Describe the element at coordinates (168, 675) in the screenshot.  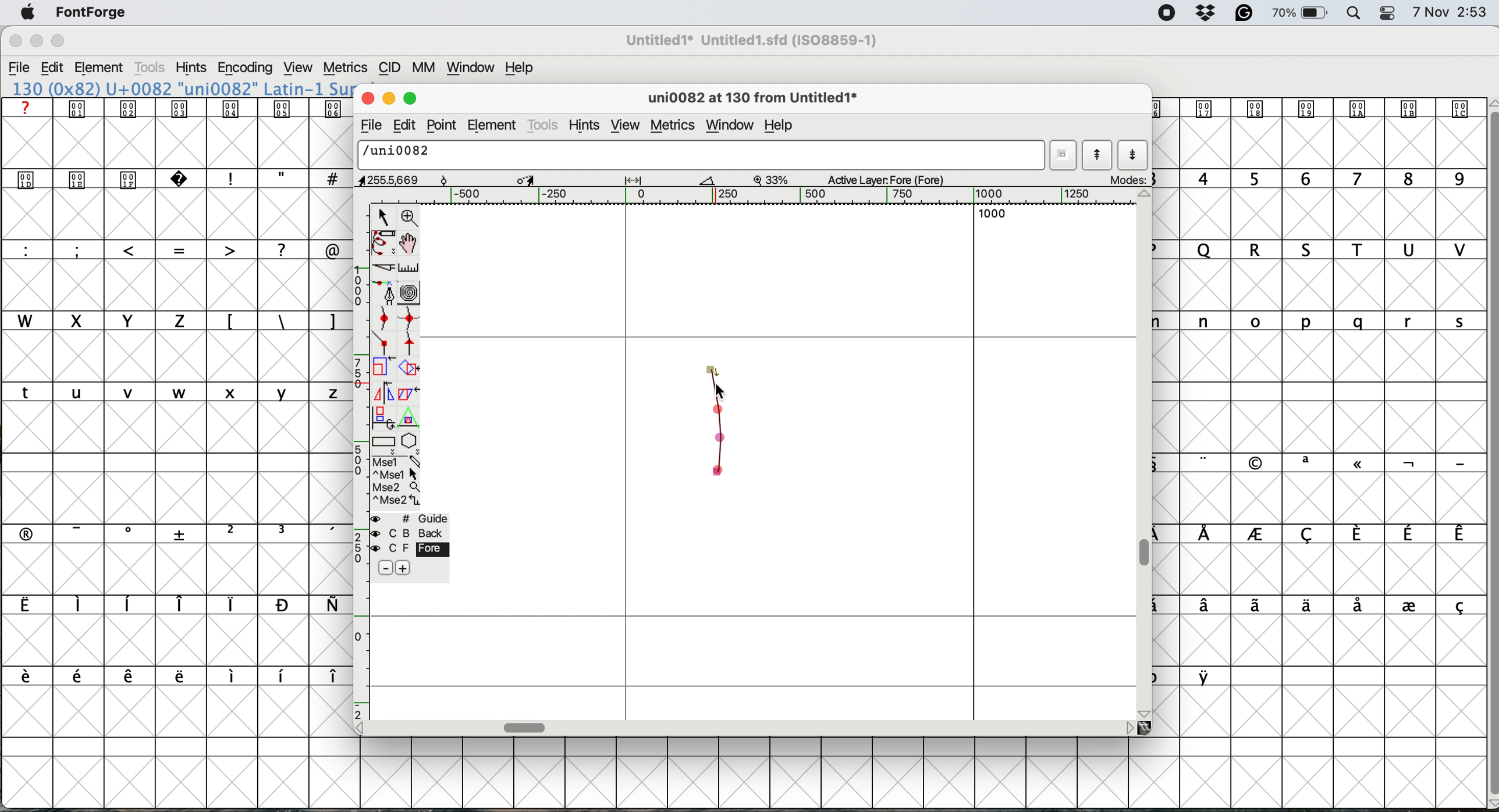
I see `special characters` at that location.